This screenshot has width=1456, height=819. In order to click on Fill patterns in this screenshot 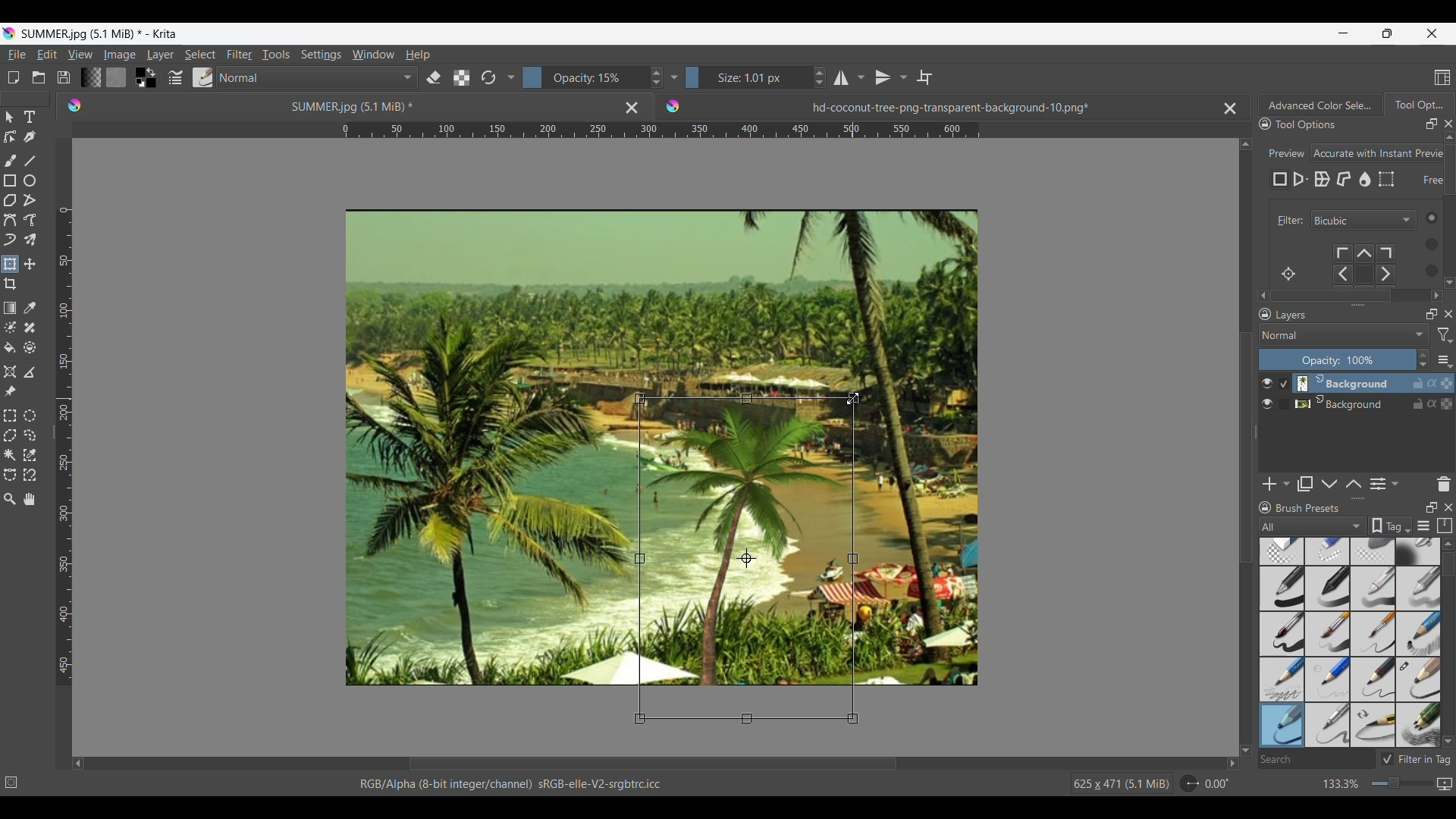, I will do `click(116, 77)`.